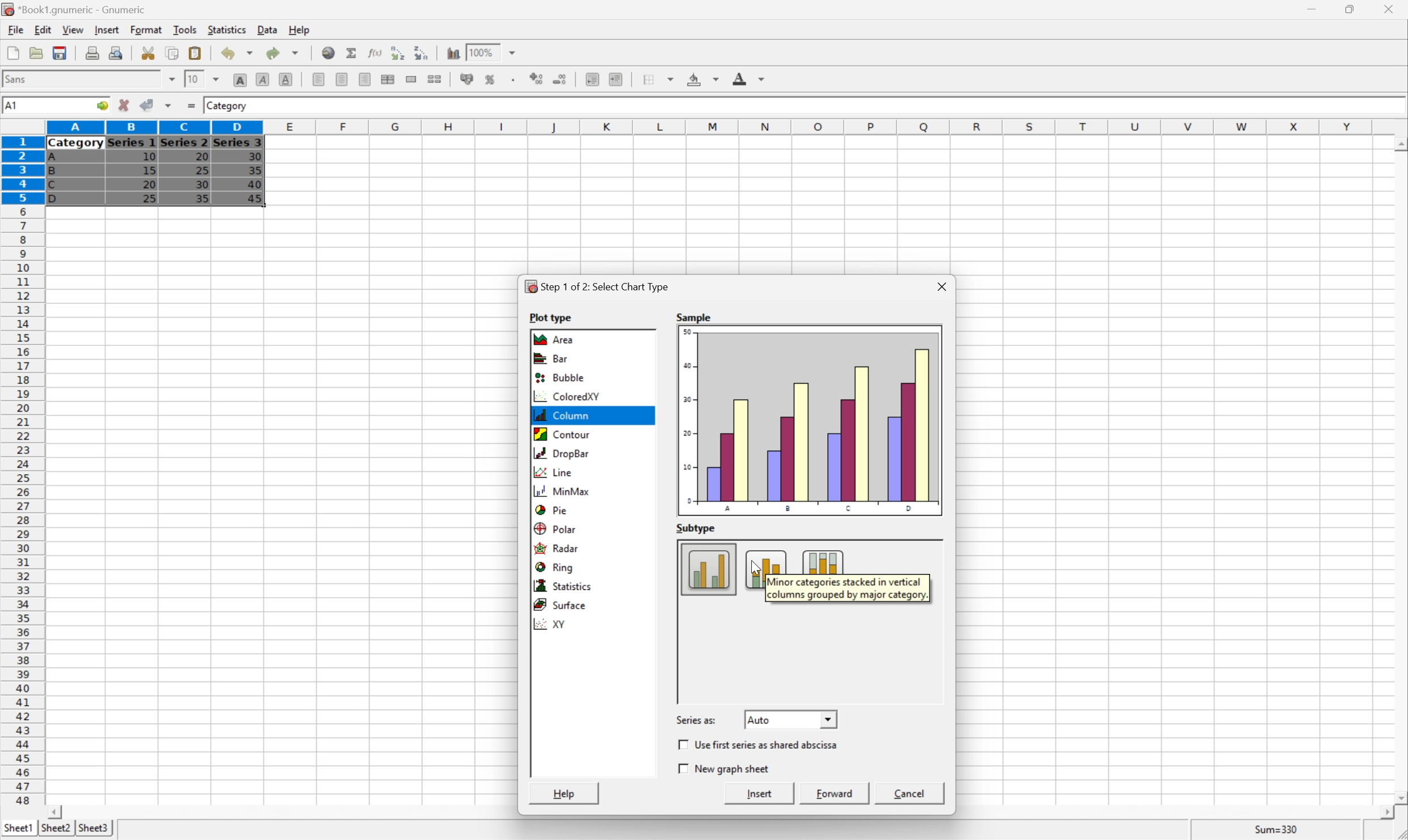  What do you see at coordinates (938, 698) in the screenshot?
I see `Scroll Down` at bounding box center [938, 698].